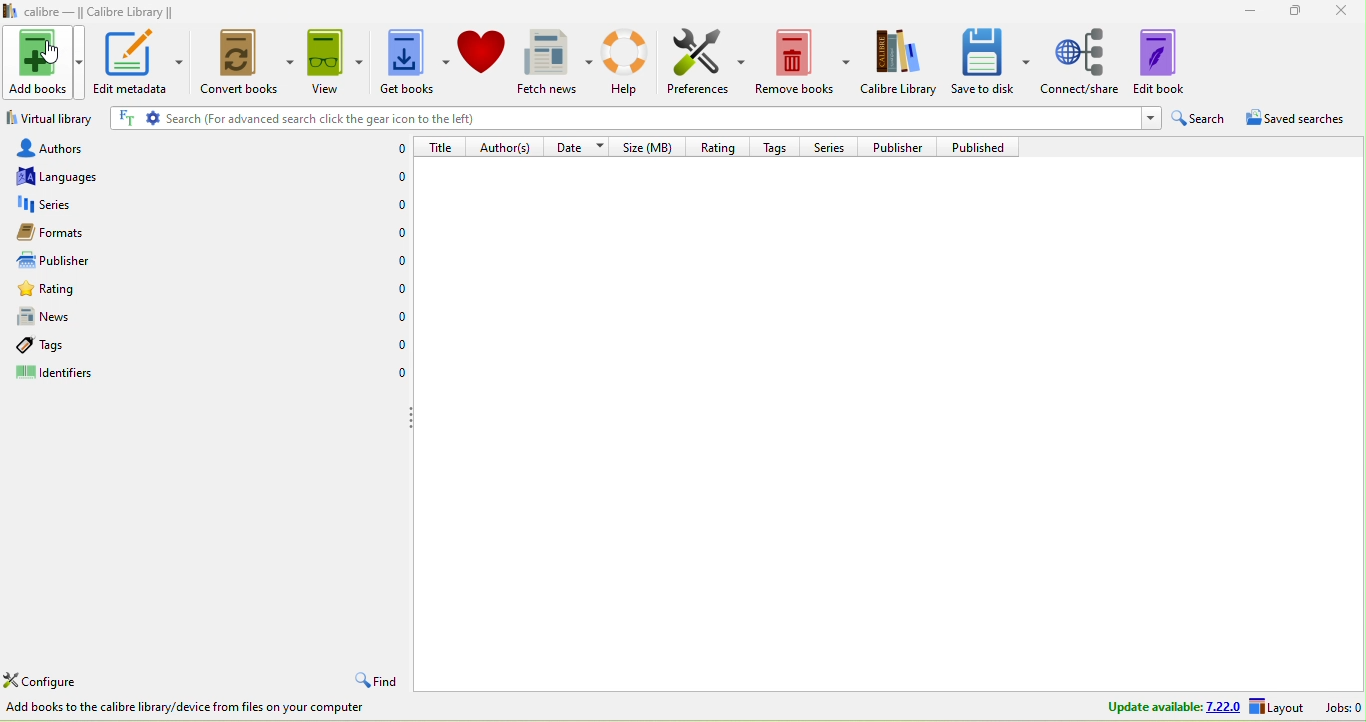  I want to click on 0, so click(399, 204).